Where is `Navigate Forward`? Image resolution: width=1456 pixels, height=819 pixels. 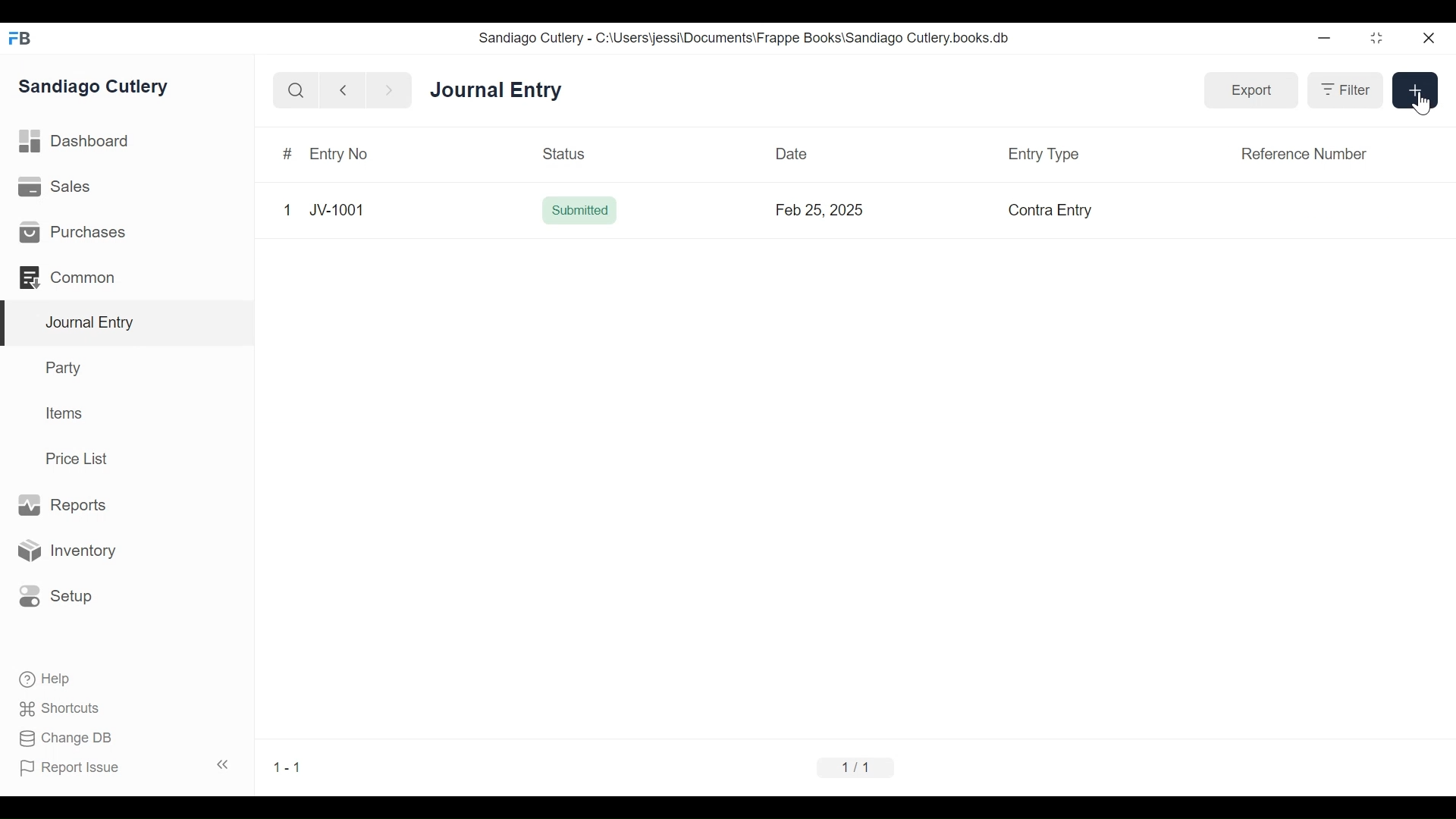 Navigate Forward is located at coordinates (390, 89).